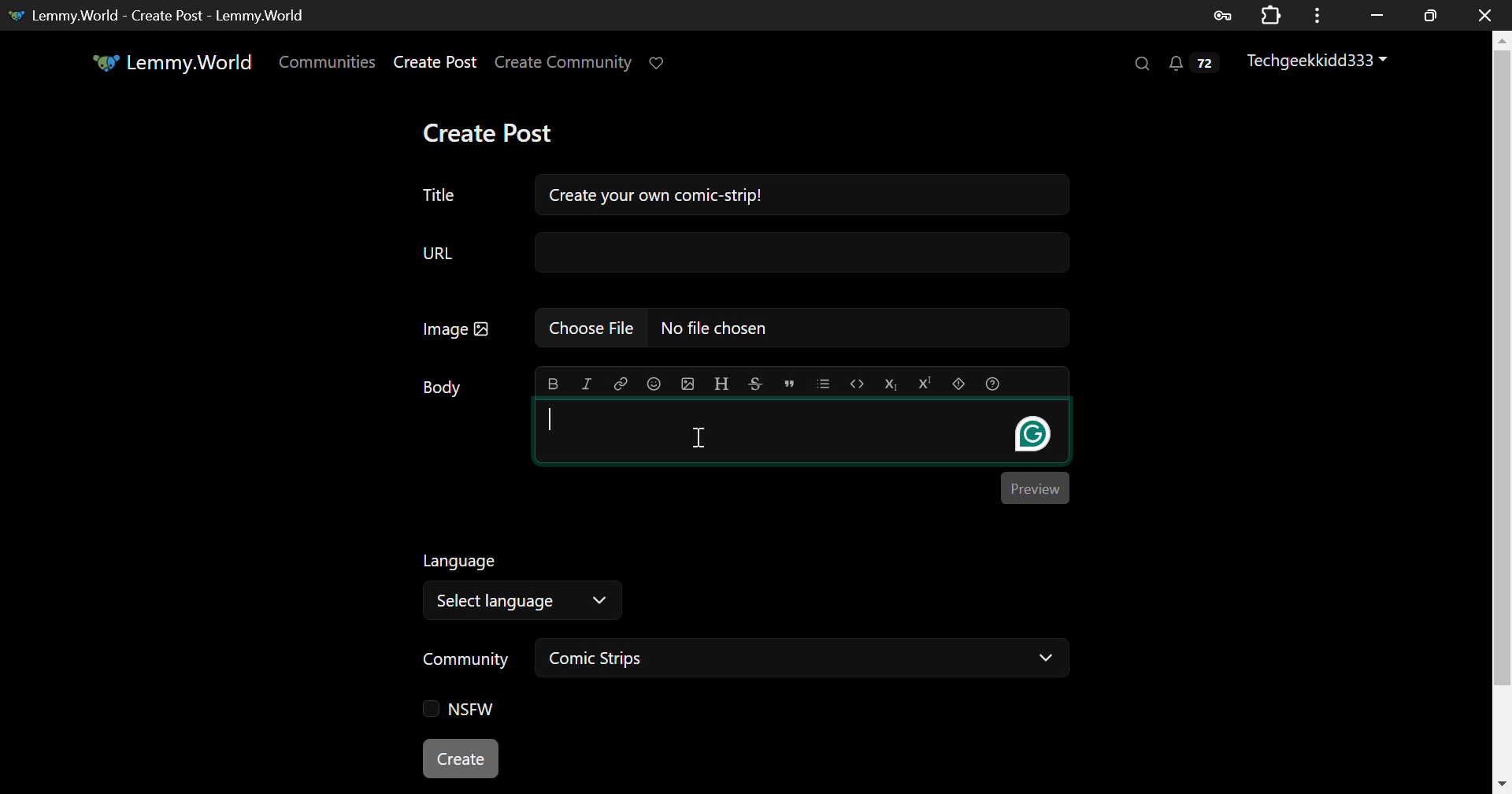  I want to click on Password Data Saved, so click(1224, 14).